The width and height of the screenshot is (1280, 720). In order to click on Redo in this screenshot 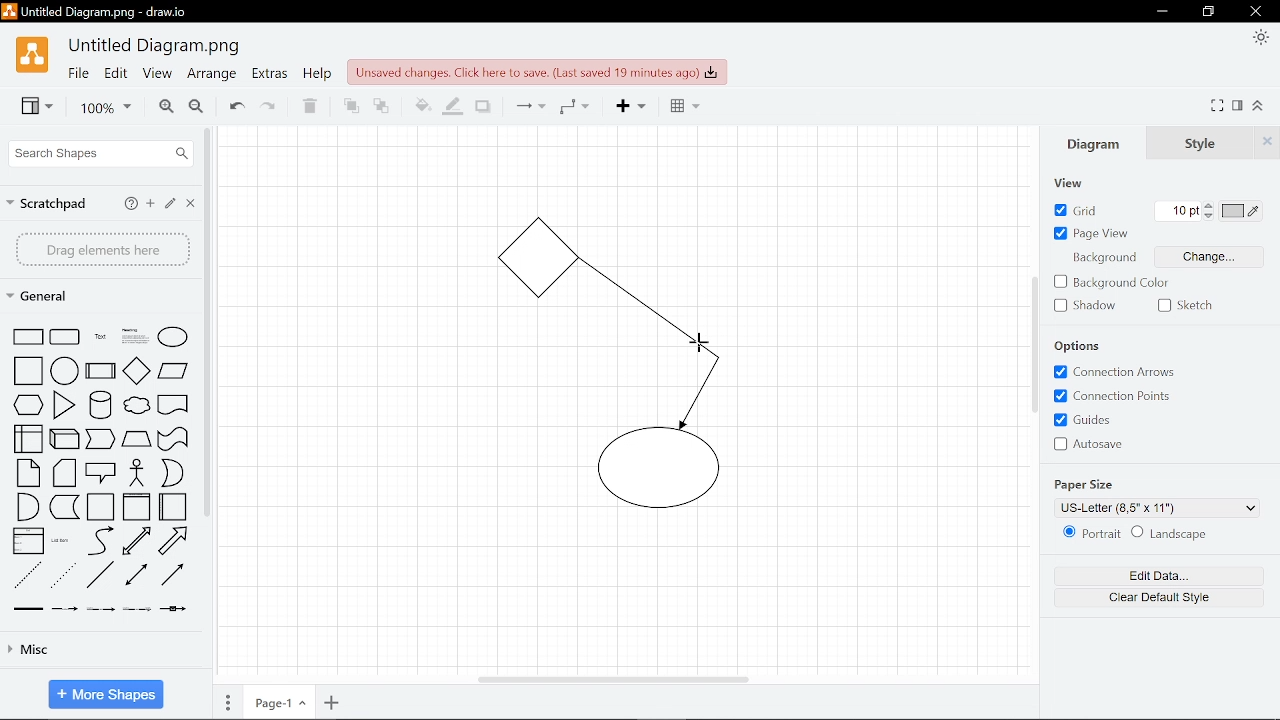, I will do `click(270, 106)`.